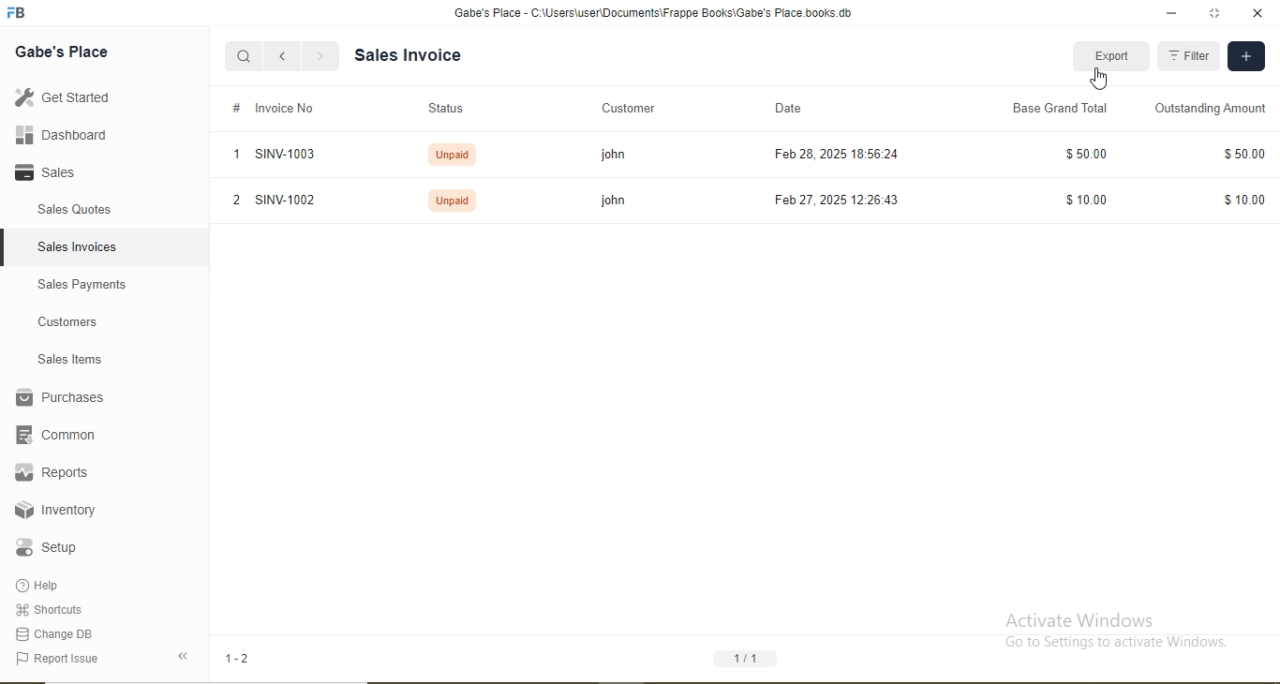 Image resolution: width=1280 pixels, height=684 pixels. Describe the element at coordinates (838, 153) in the screenshot. I see `Feb 28, 2025 185624` at that location.